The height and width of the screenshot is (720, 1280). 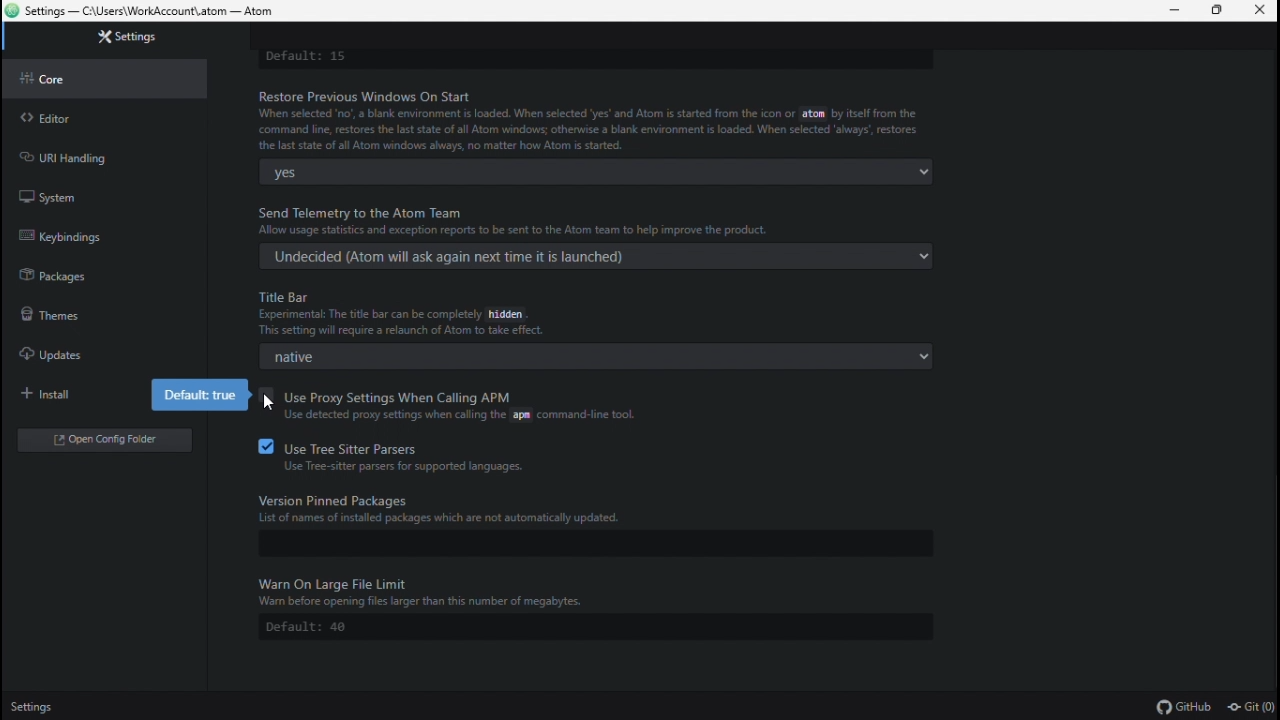 What do you see at coordinates (606, 589) in the screenshot?
I see `warn on large file limit` at bounding box center [606, 589].